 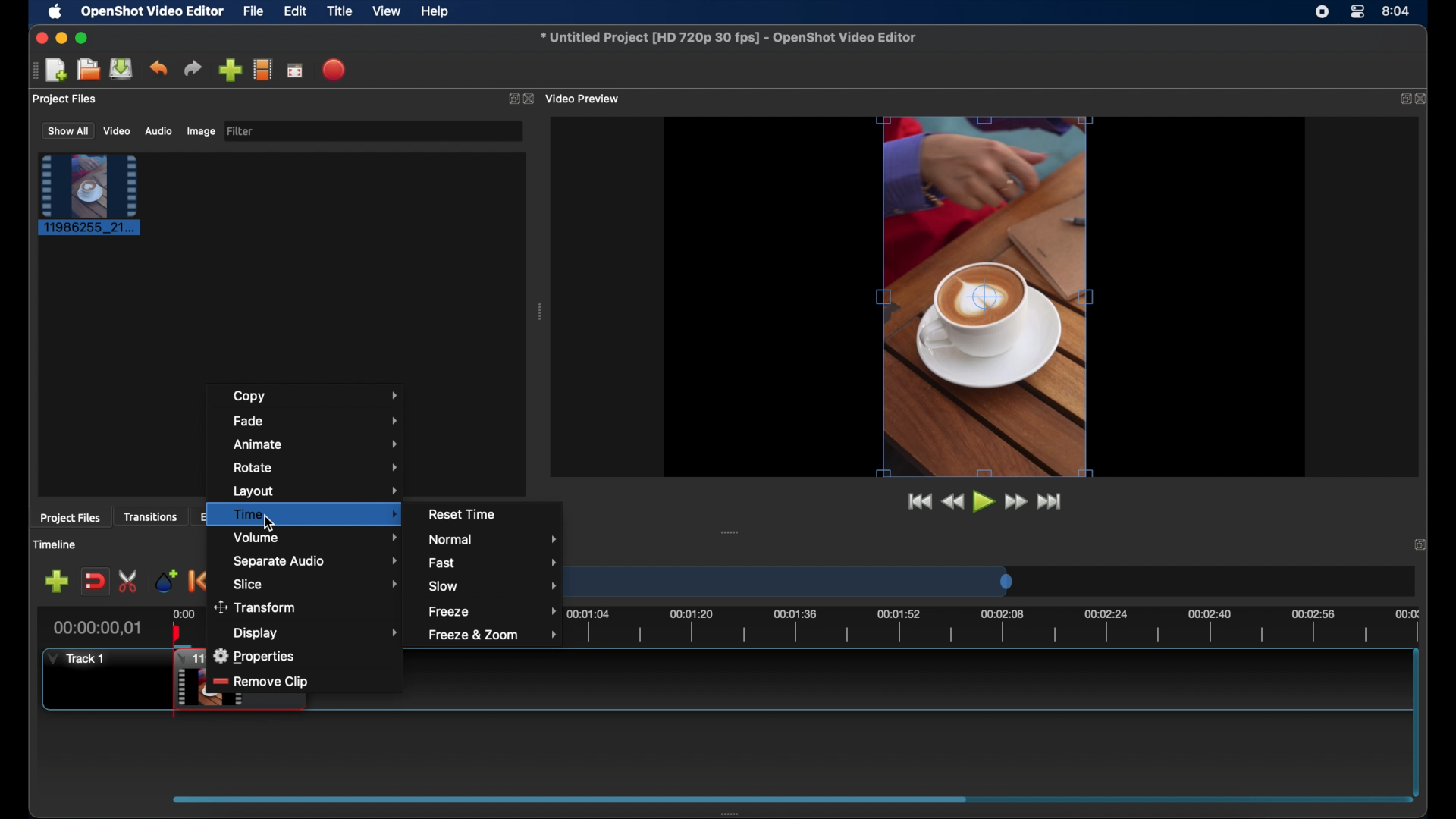 I want to click on separate audio menu, so click(x=318, y=560).